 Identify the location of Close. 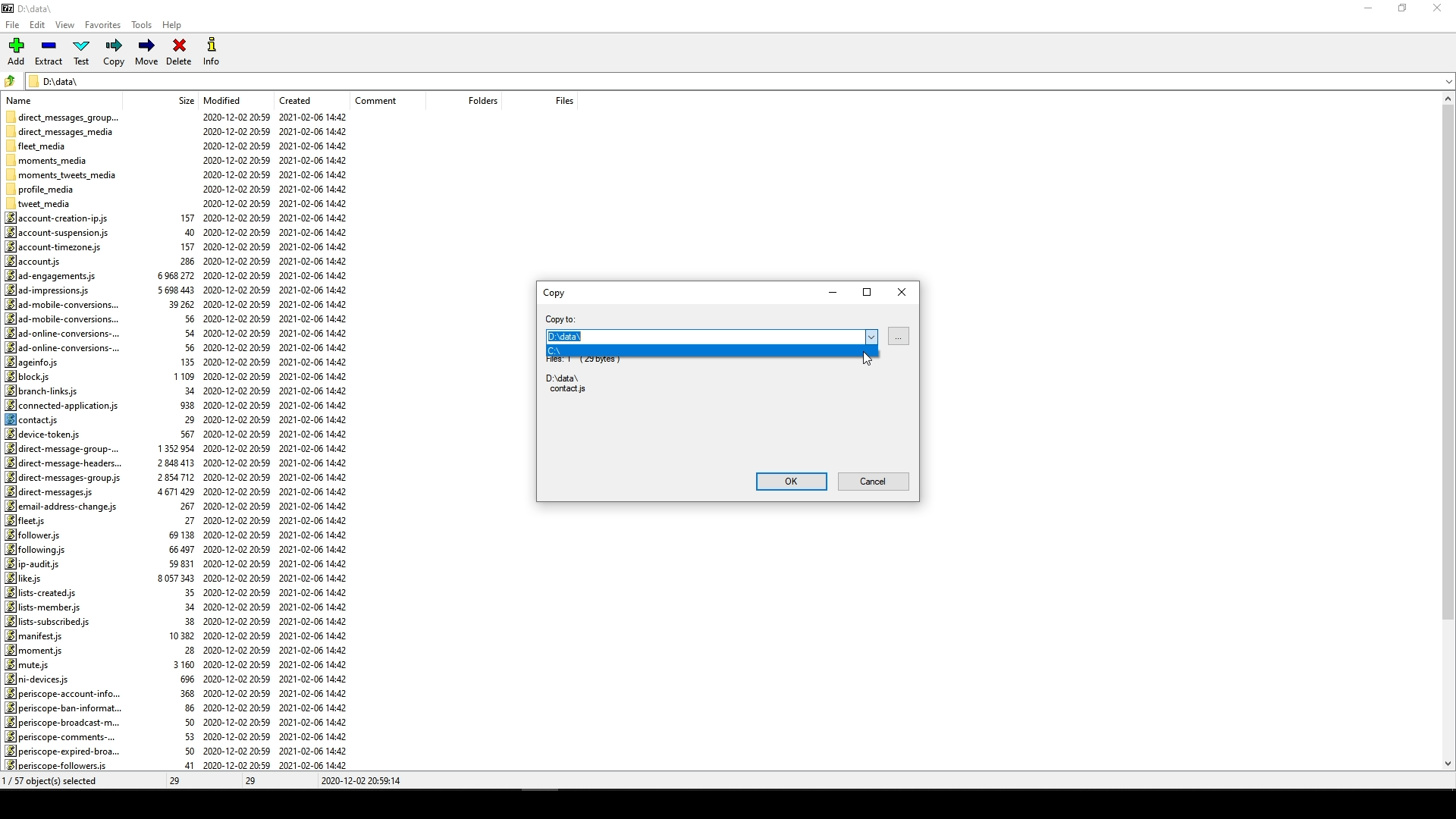
(902, 291).